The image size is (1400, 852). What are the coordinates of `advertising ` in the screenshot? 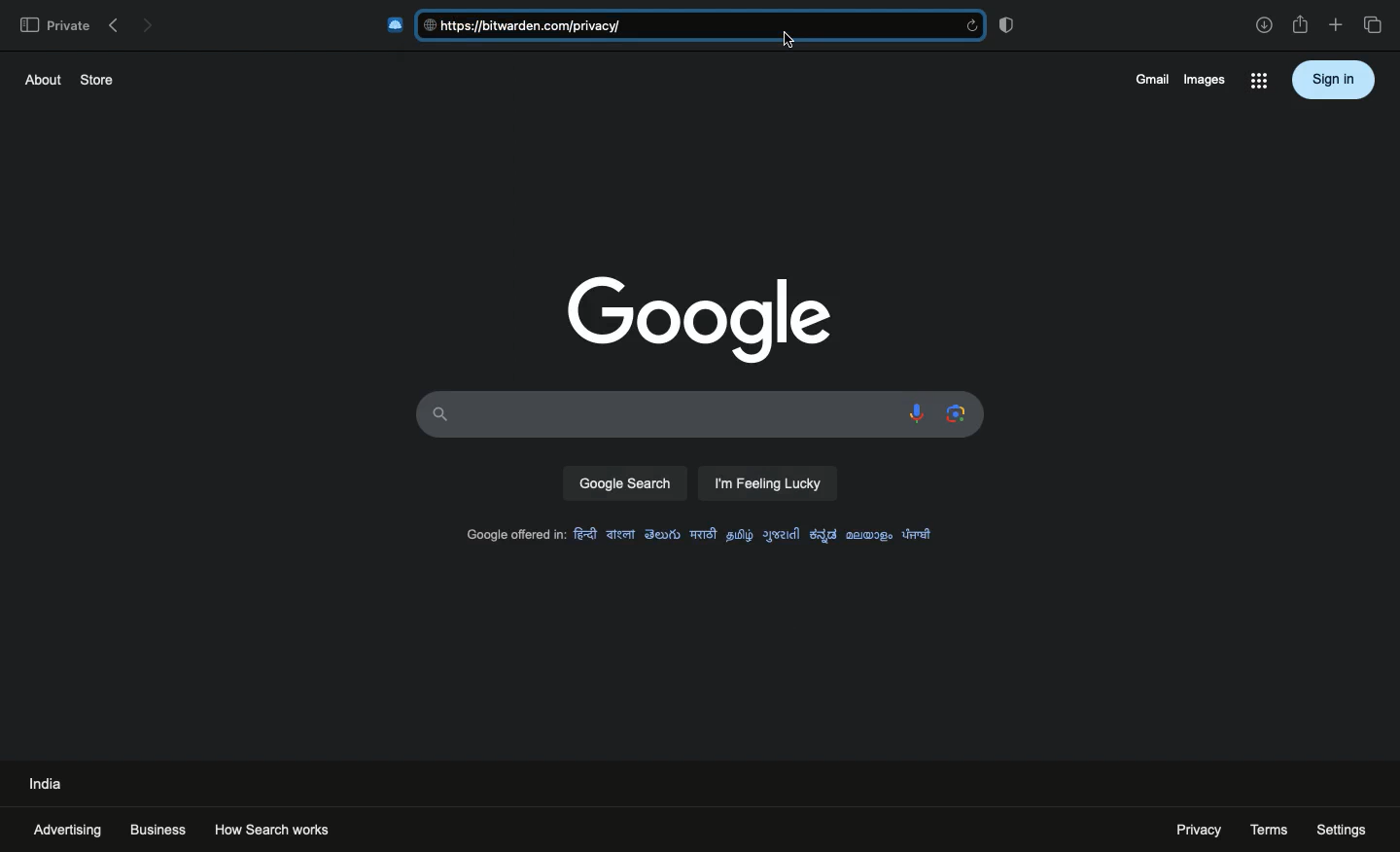 It's located at (70, 831).